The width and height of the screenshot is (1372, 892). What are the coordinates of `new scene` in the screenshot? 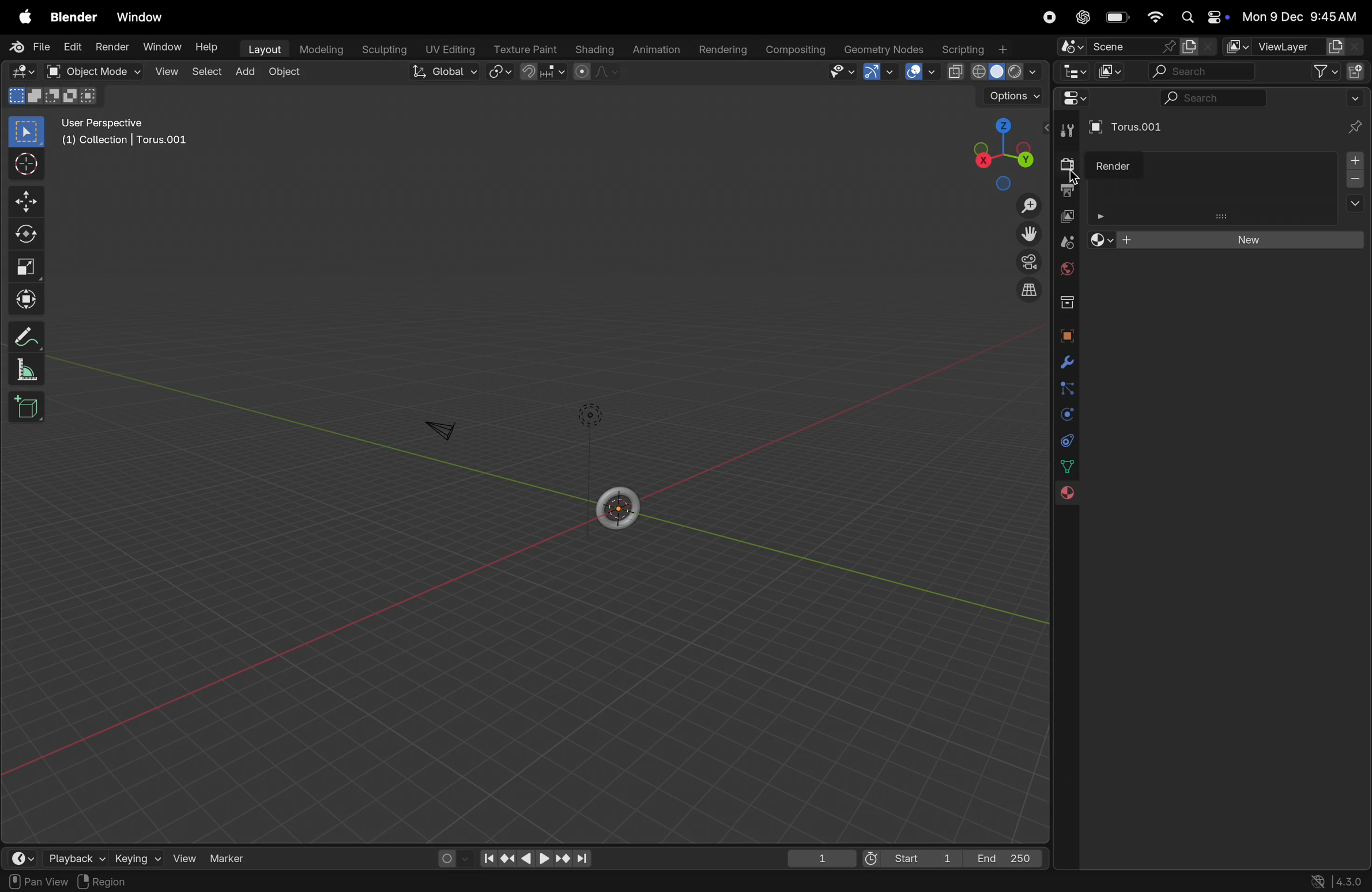 It's located at (1197, 46).